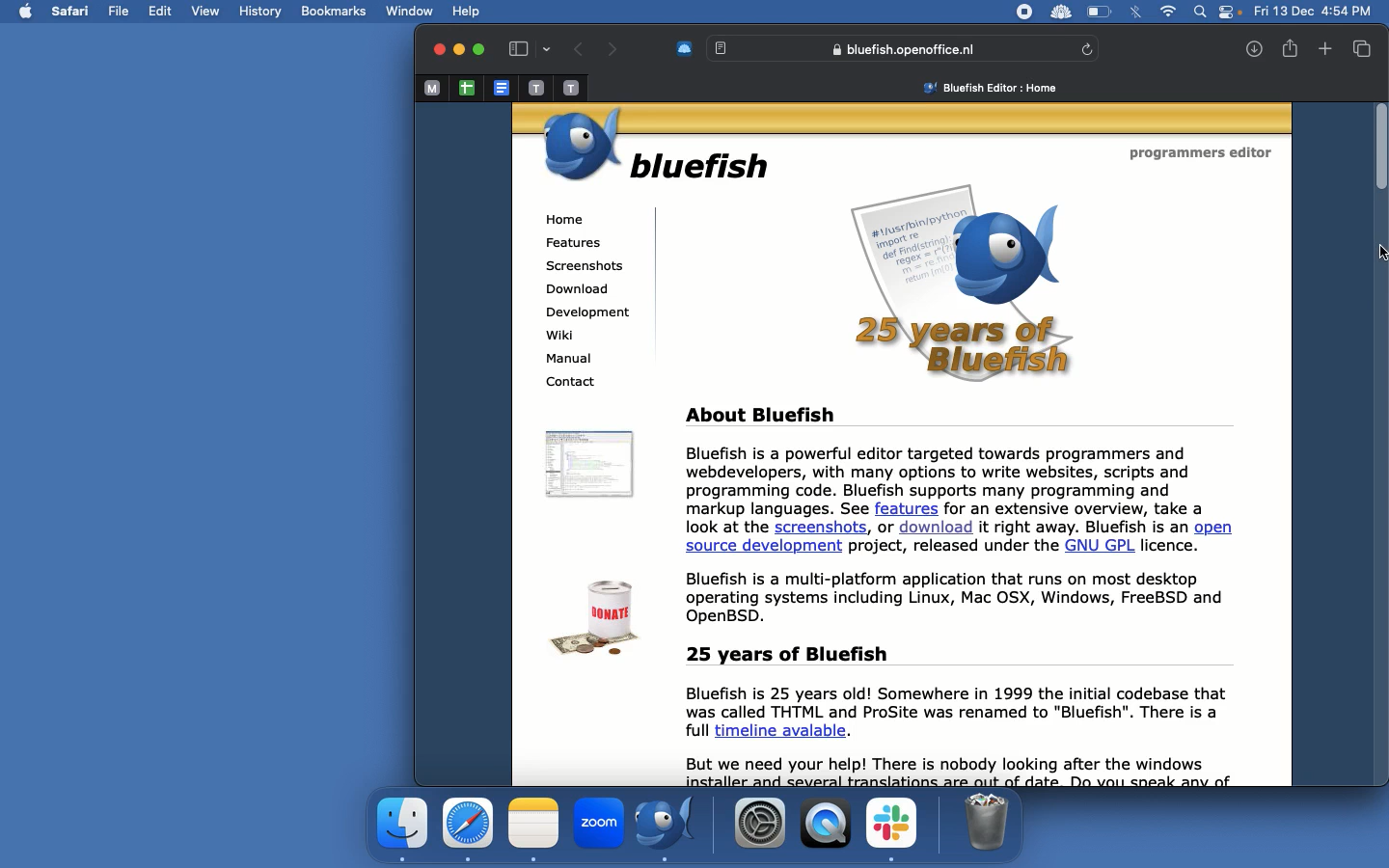  What do you see at coordinates (401, 826) in the screenshot?
I see `Application` at bounding box center [401, 826].